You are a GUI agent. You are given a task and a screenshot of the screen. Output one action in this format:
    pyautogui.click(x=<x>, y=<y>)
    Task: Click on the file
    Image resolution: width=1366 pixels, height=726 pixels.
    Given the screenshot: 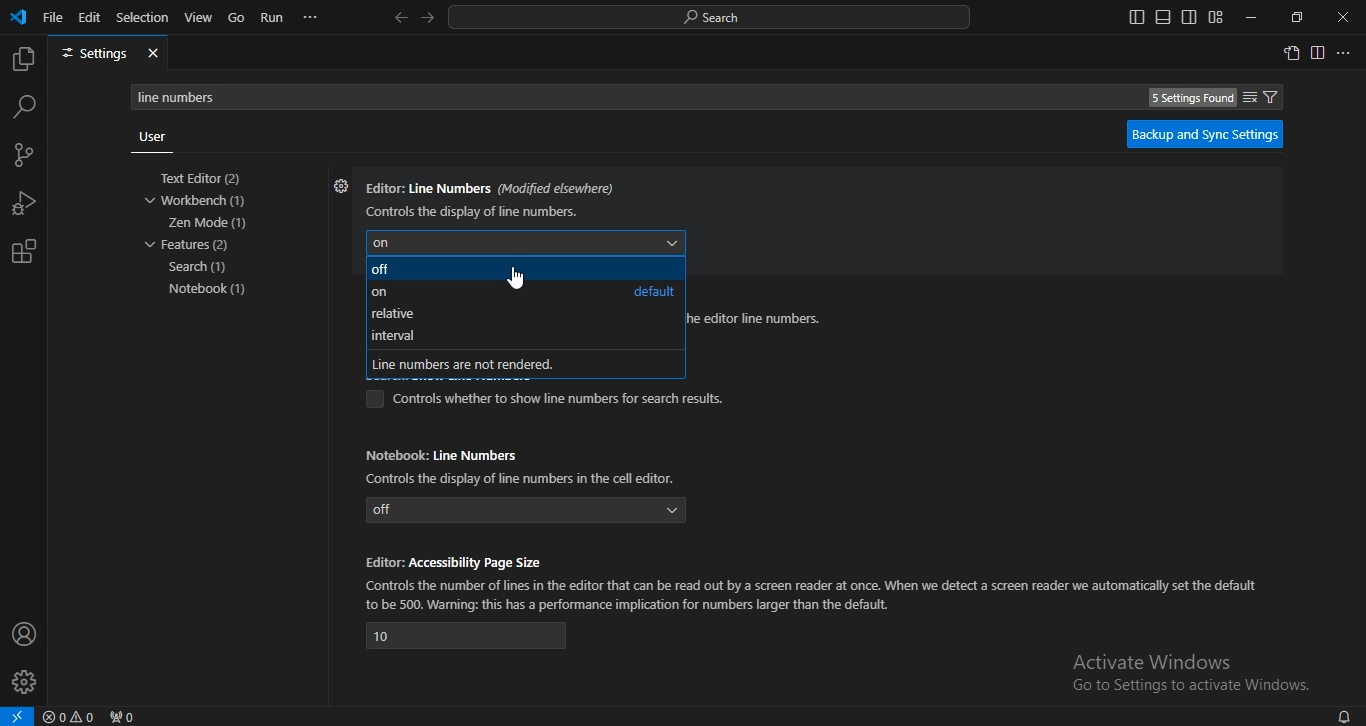 What is the action you would take?
    pyautogui.click(x=53, y=16)
    